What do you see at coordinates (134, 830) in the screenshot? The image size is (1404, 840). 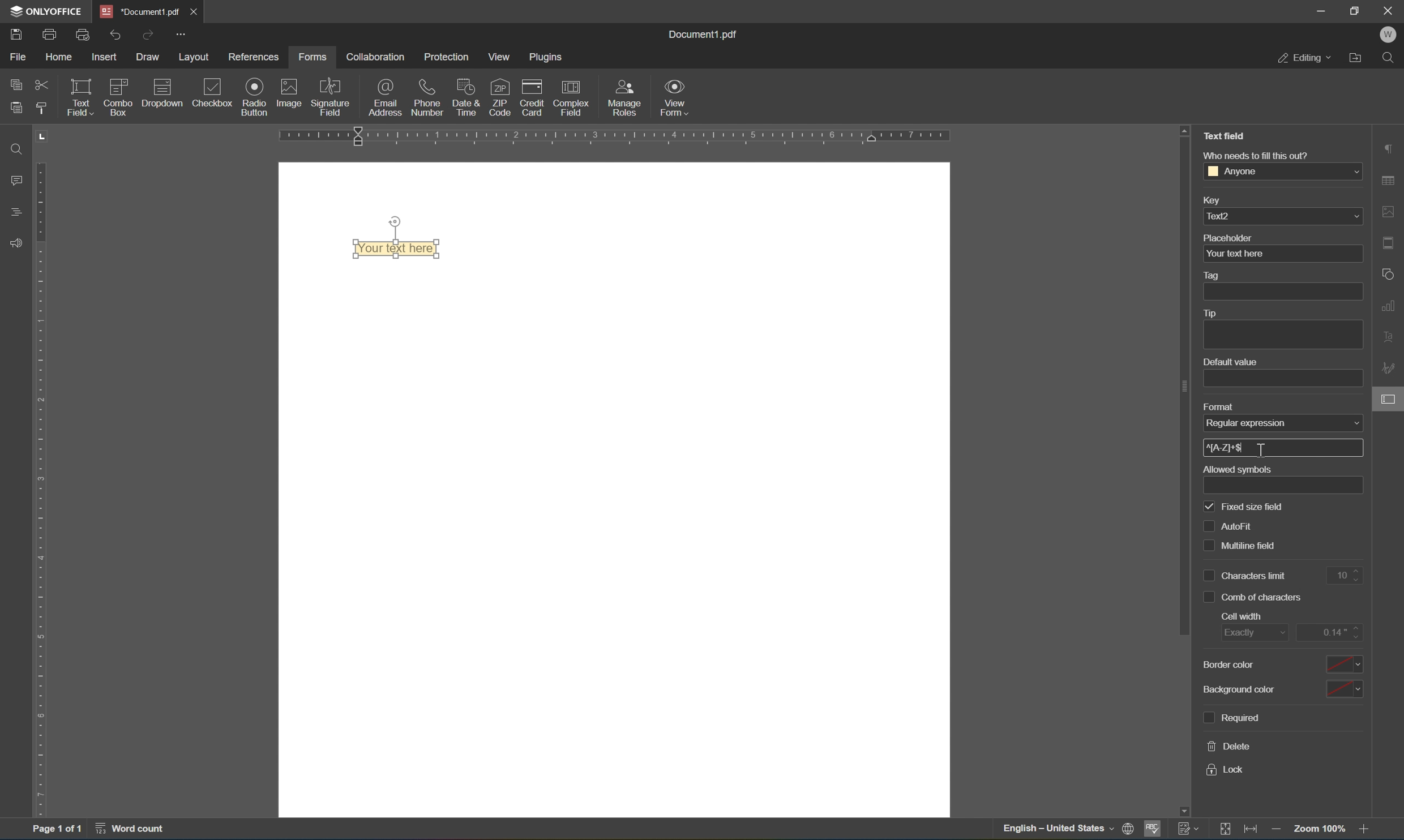 I see `word count` at bounding box center [134, 830].